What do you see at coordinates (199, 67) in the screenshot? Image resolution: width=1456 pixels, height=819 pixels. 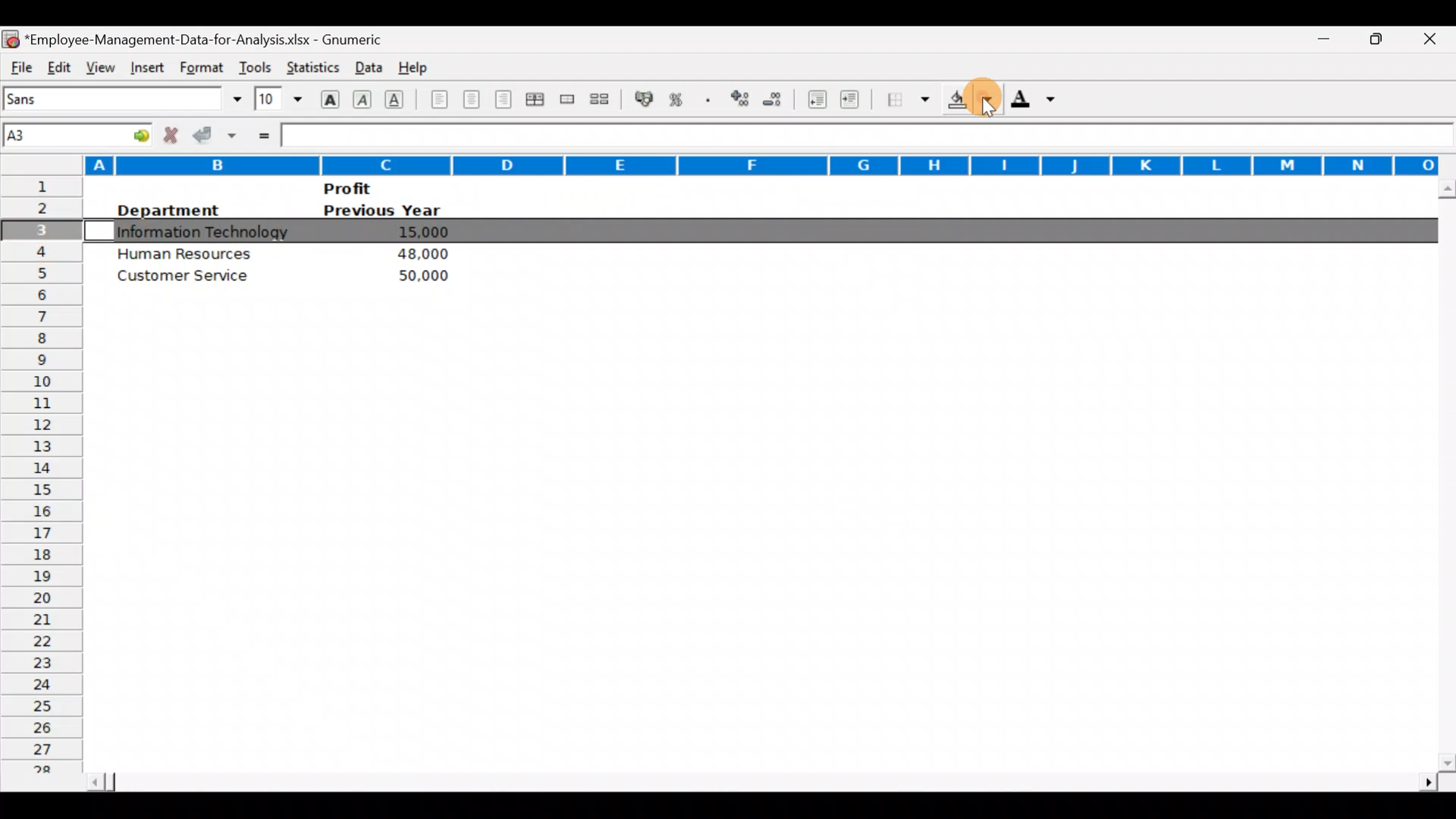 I see `Format` at bounding box center [199, 67].